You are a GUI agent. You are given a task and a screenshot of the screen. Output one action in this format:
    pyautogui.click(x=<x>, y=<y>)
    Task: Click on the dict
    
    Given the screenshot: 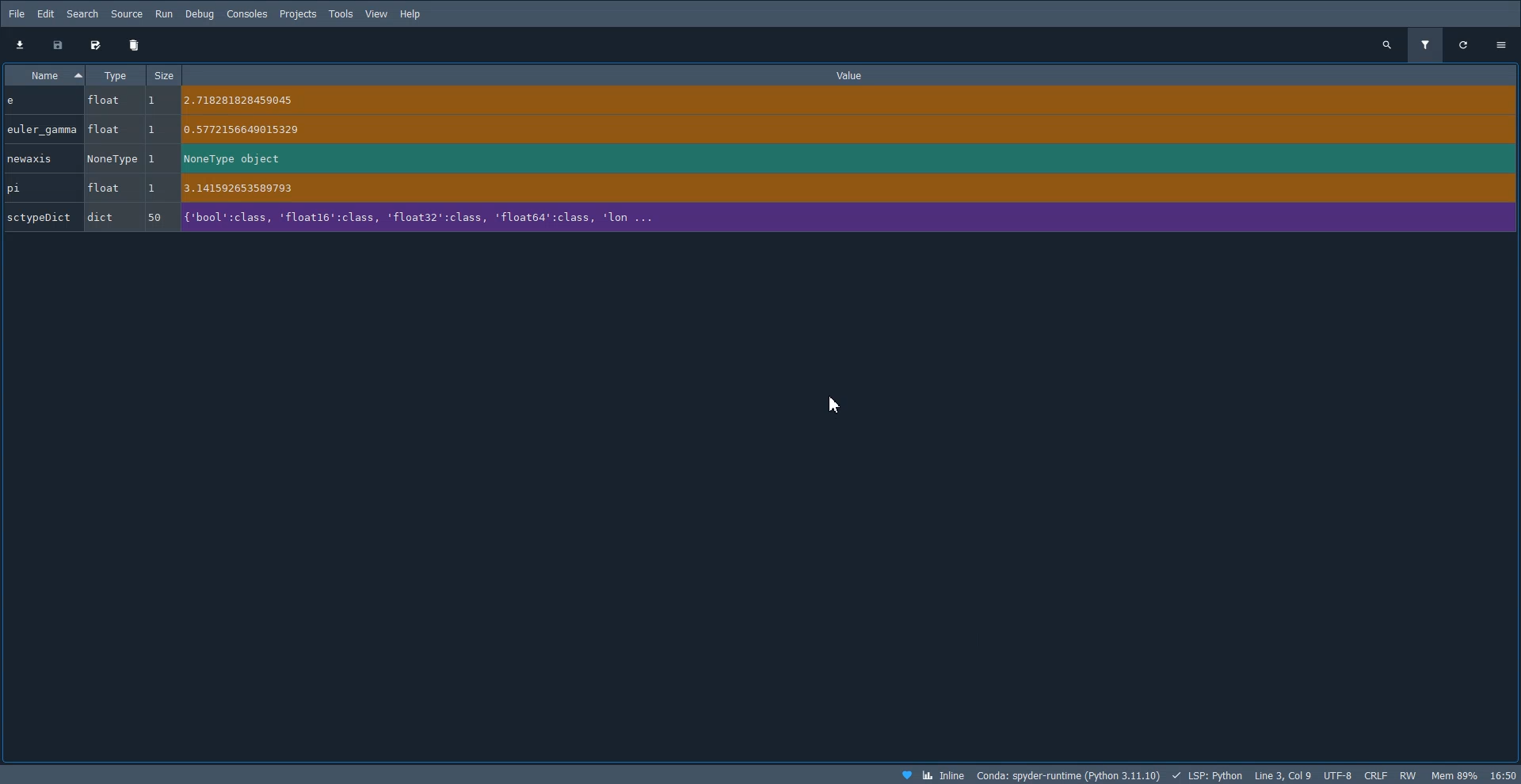 What is the action you would take?
    pyautogui.click(x=99, y=216)
    